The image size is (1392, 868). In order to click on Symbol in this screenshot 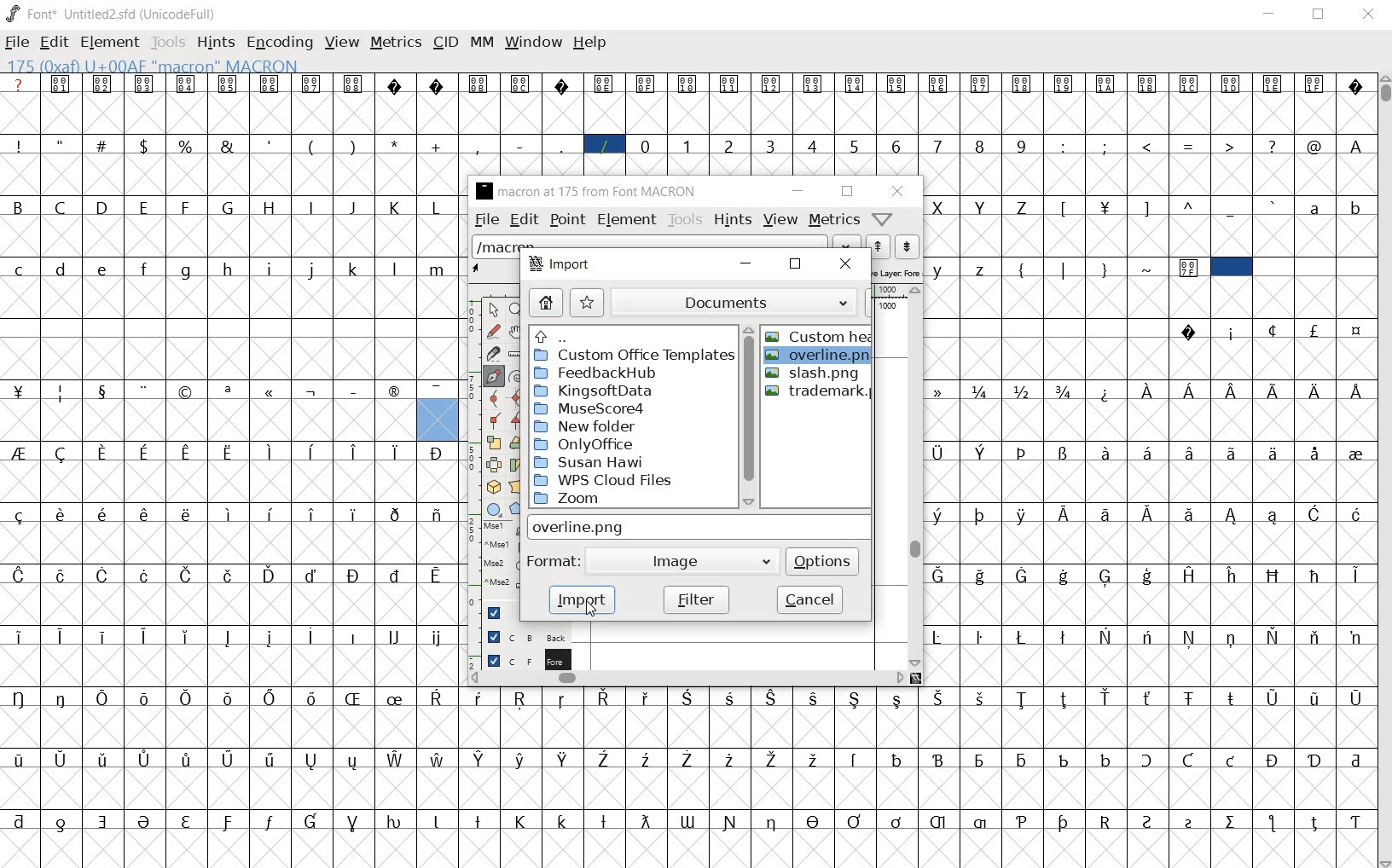, I will do `click(148, 698)`.